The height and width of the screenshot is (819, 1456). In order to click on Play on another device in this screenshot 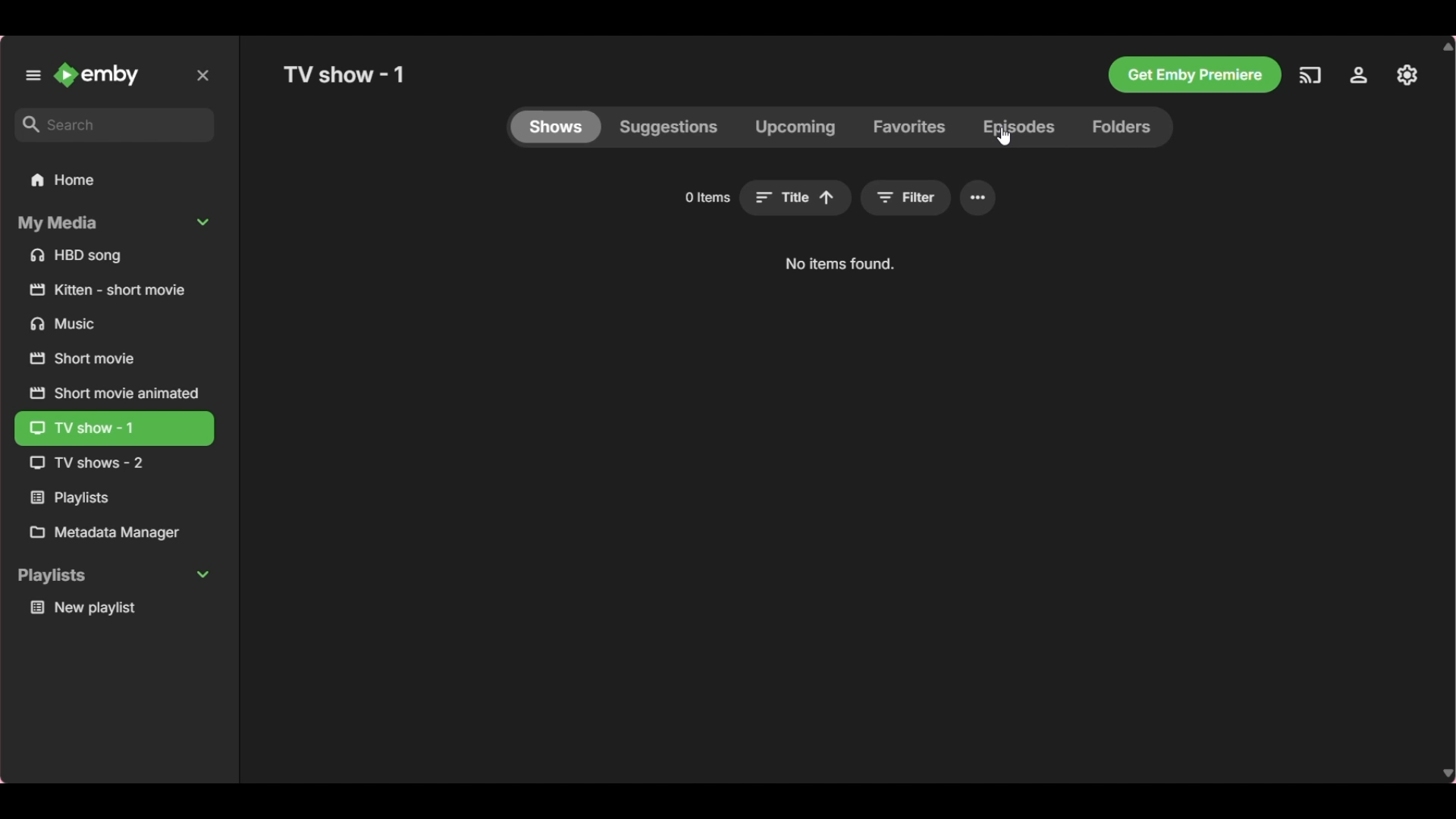, I will do `click(1310, 75)`.